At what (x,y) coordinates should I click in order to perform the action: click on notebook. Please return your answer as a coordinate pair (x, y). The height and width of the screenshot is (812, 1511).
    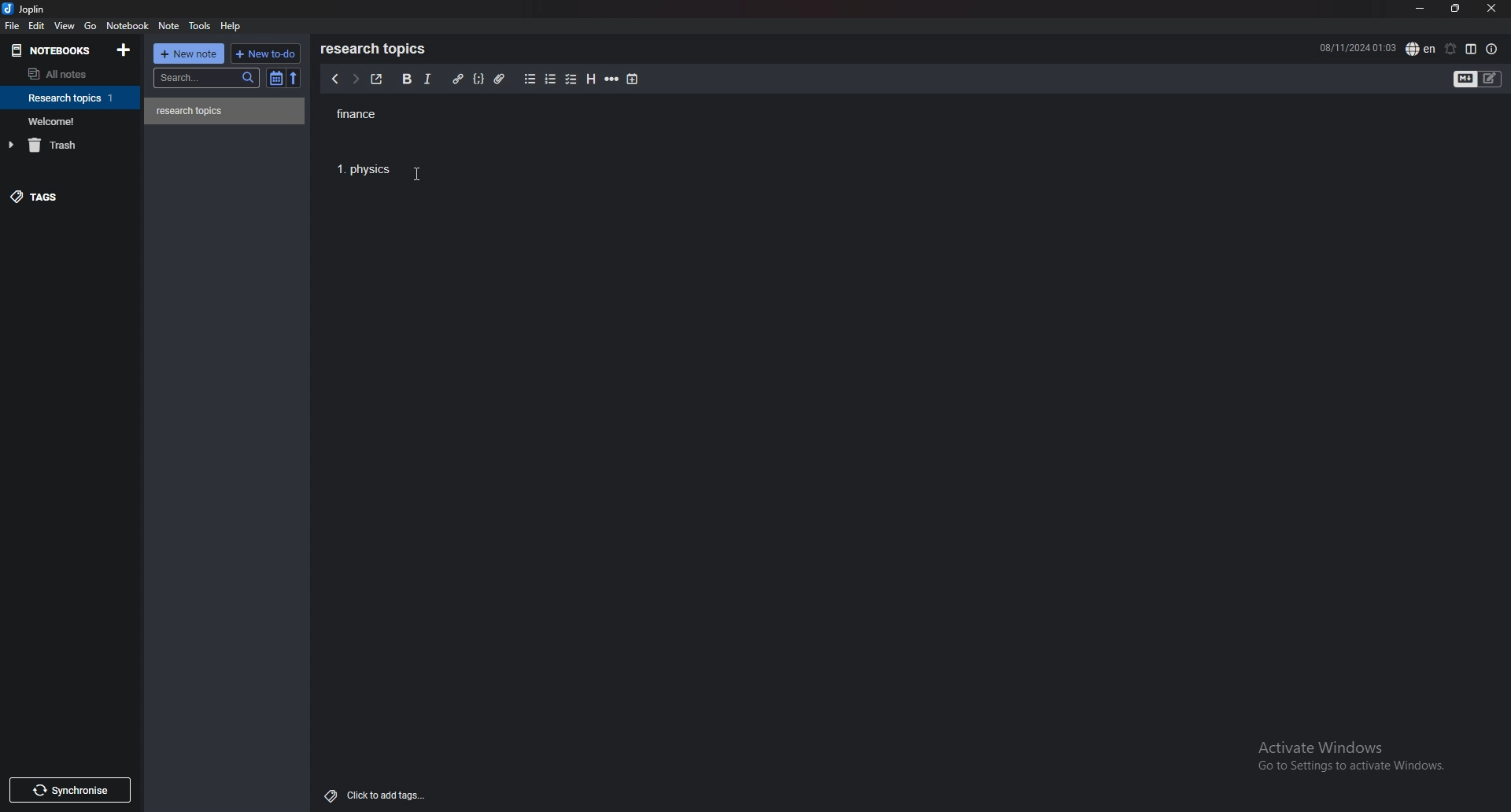
    Looking at the image, I should click on (72, 98).